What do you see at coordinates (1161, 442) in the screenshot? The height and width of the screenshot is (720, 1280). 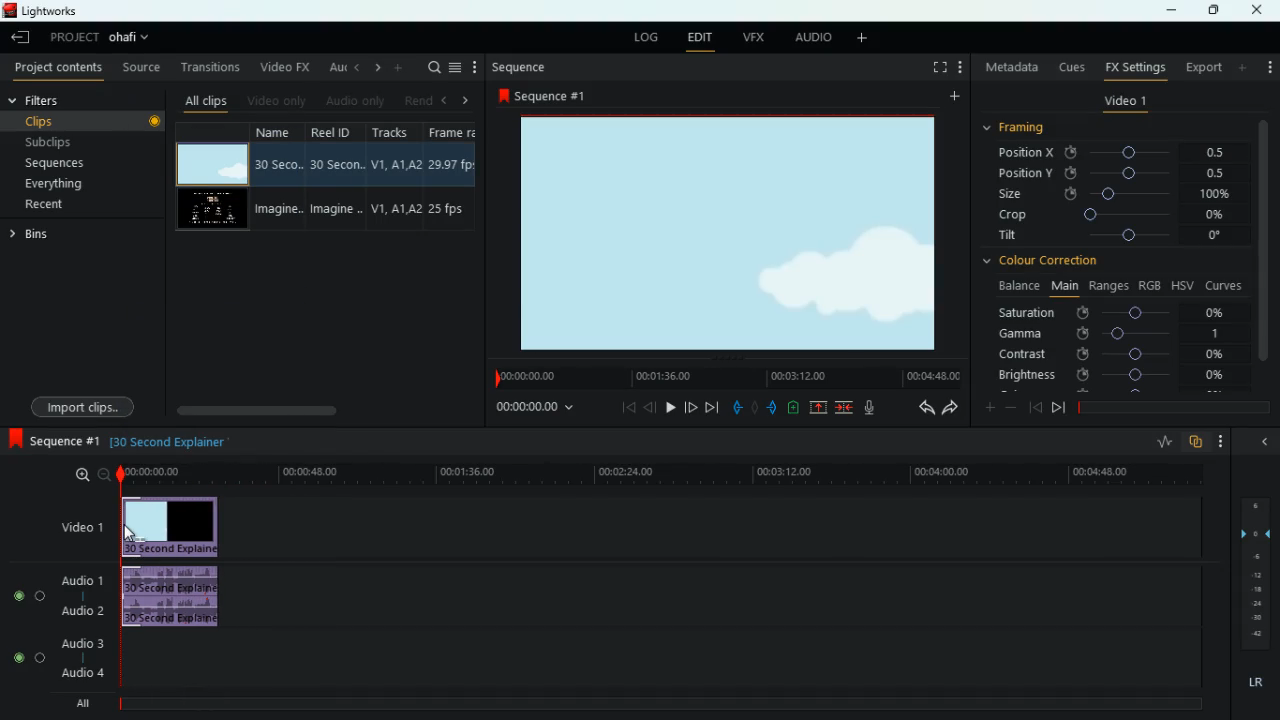 I see `rate` at bounding box center [1161, 442].